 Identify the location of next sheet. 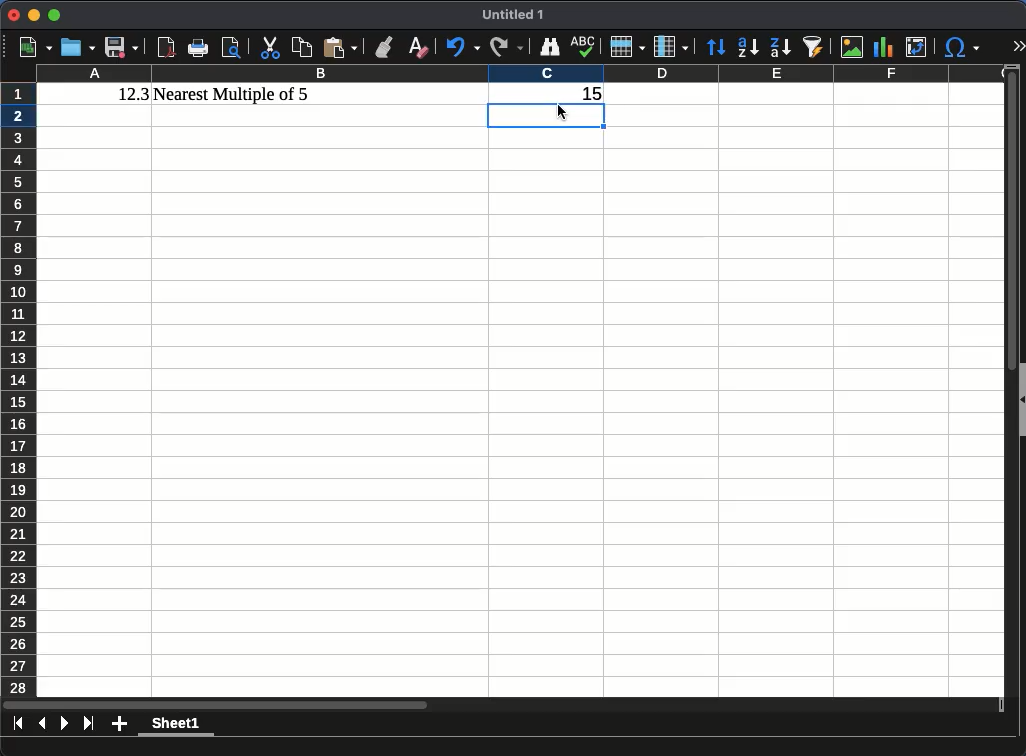
(65, 725).